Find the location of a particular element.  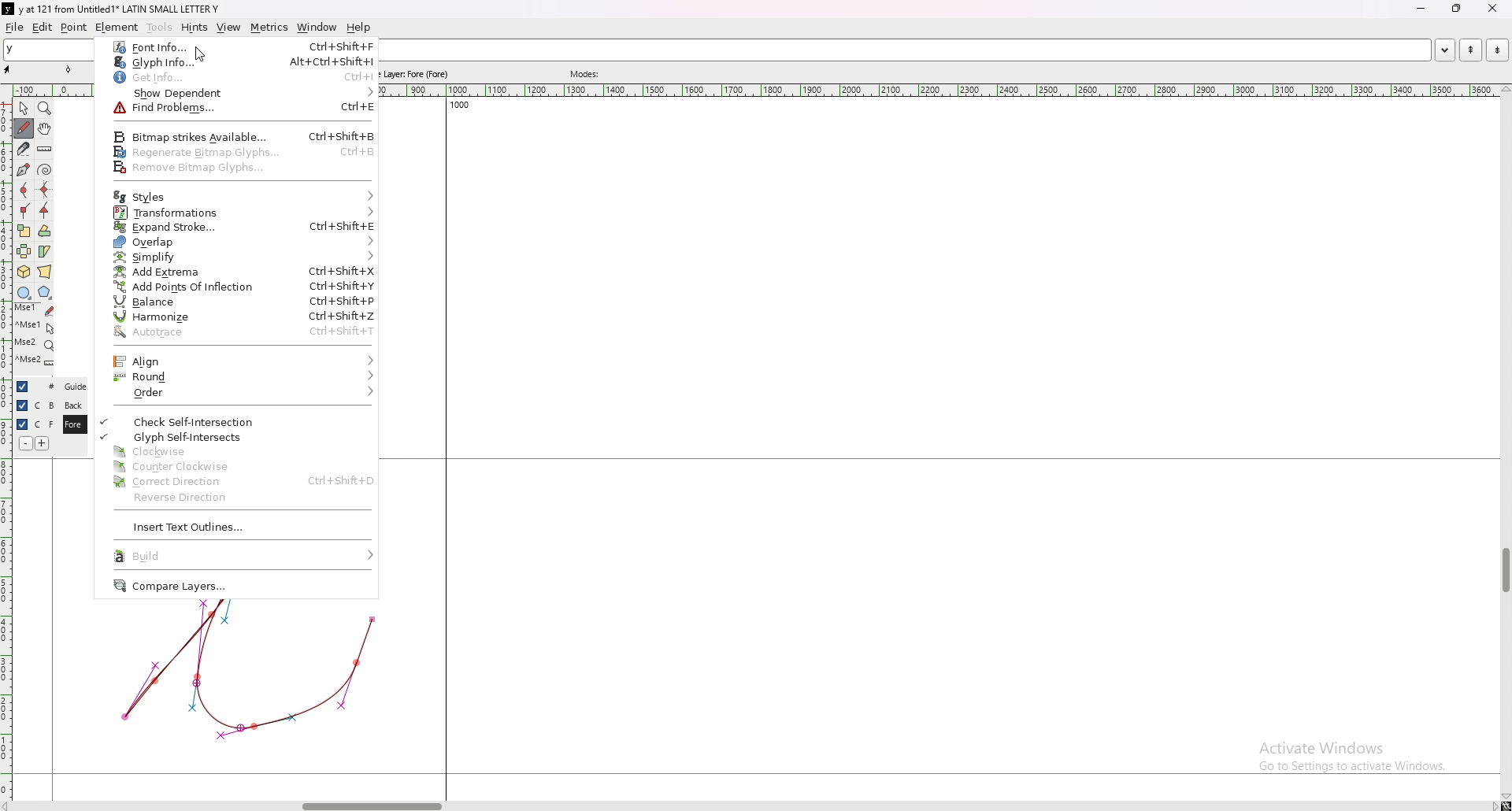

build is located at coordinates (238, 555).